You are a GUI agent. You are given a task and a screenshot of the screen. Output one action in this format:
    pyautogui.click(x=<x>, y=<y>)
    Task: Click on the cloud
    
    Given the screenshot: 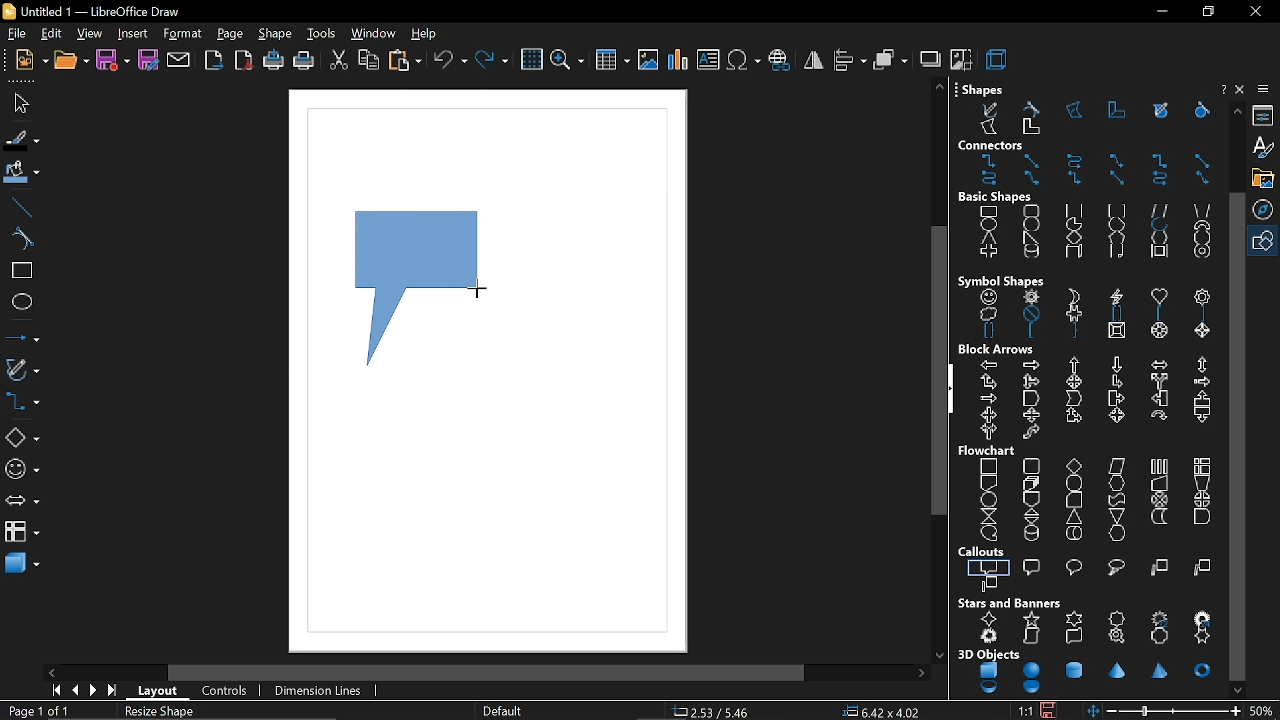 What is the action you would take?
    pyautogui.click(x=1114, y=568)
    